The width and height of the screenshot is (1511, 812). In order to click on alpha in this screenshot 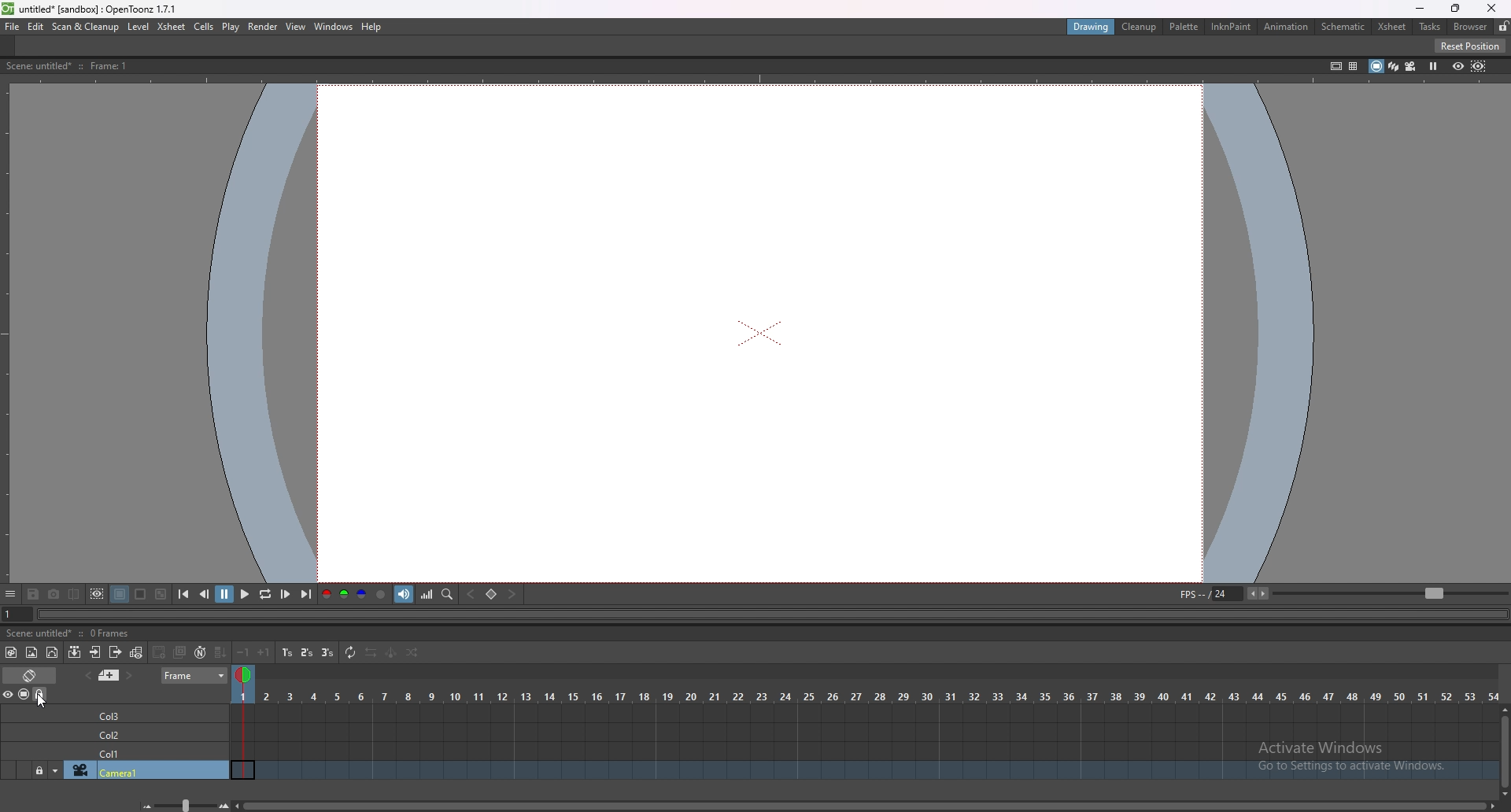, I will do `click(382, 594)`.